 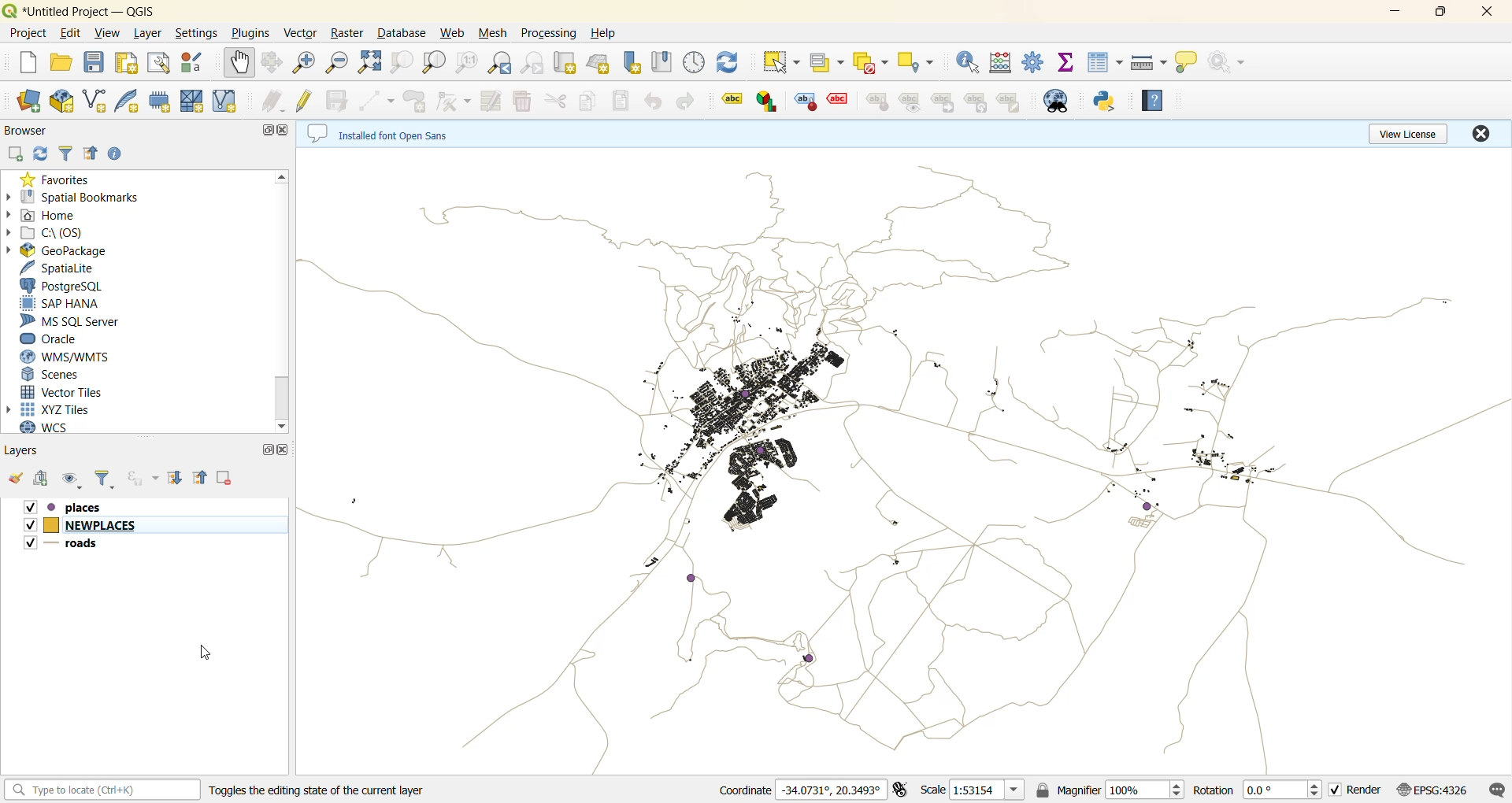 I want to click on close, so click(x=284, y=128).